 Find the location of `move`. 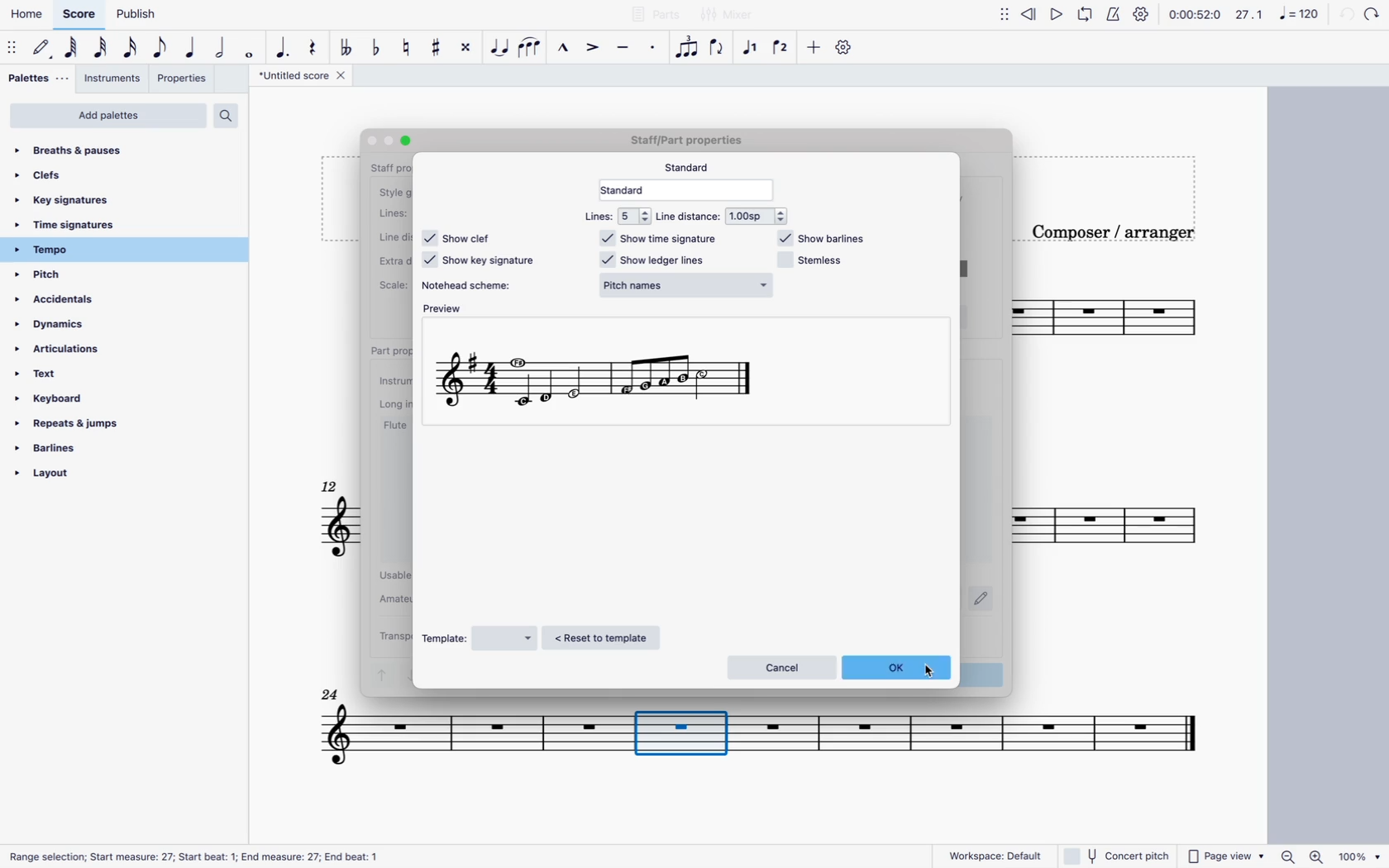

move is located at coordinates (1000, 13).